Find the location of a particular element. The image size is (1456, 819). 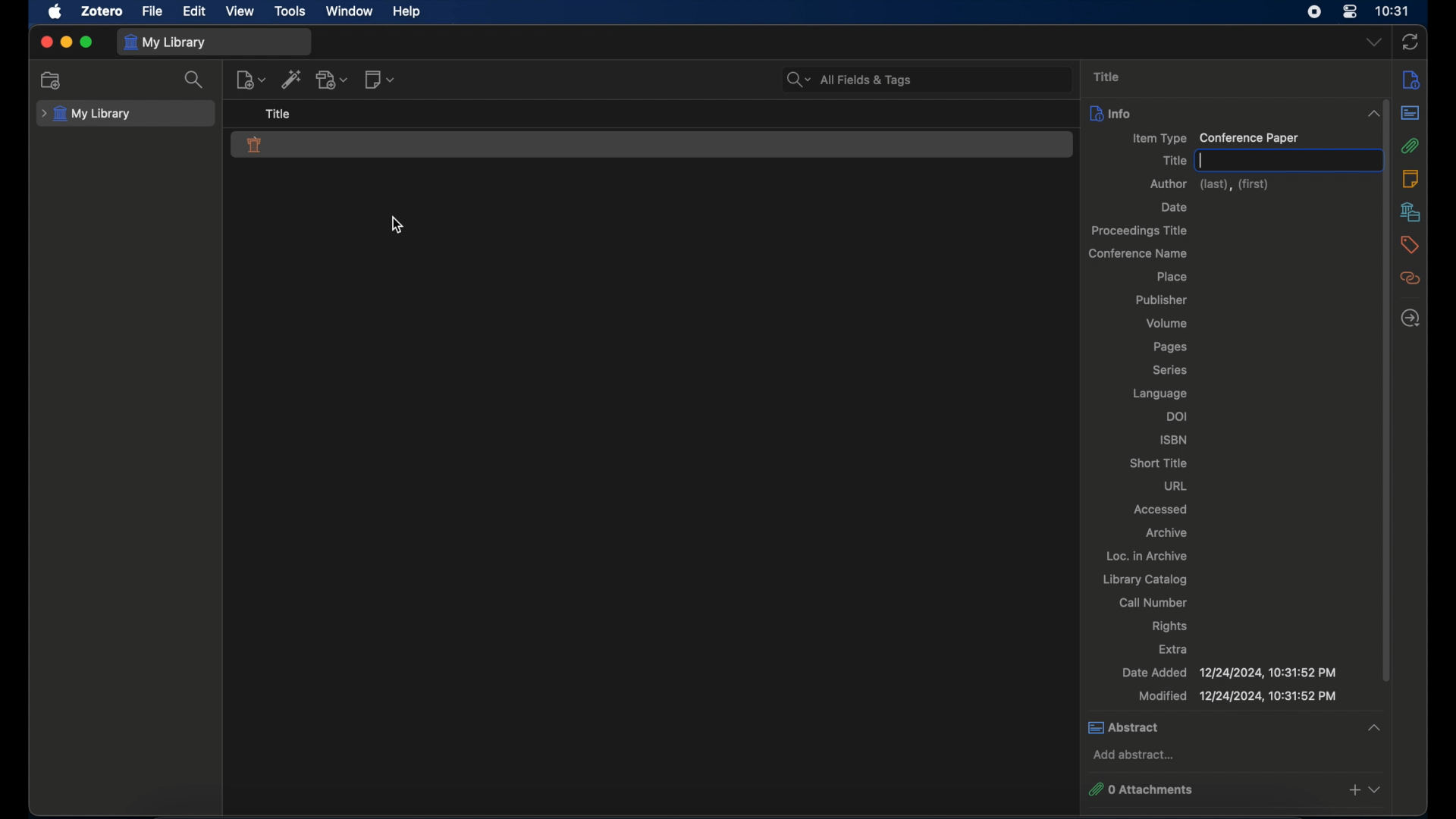

notes is located at coordinates (1410, 178).